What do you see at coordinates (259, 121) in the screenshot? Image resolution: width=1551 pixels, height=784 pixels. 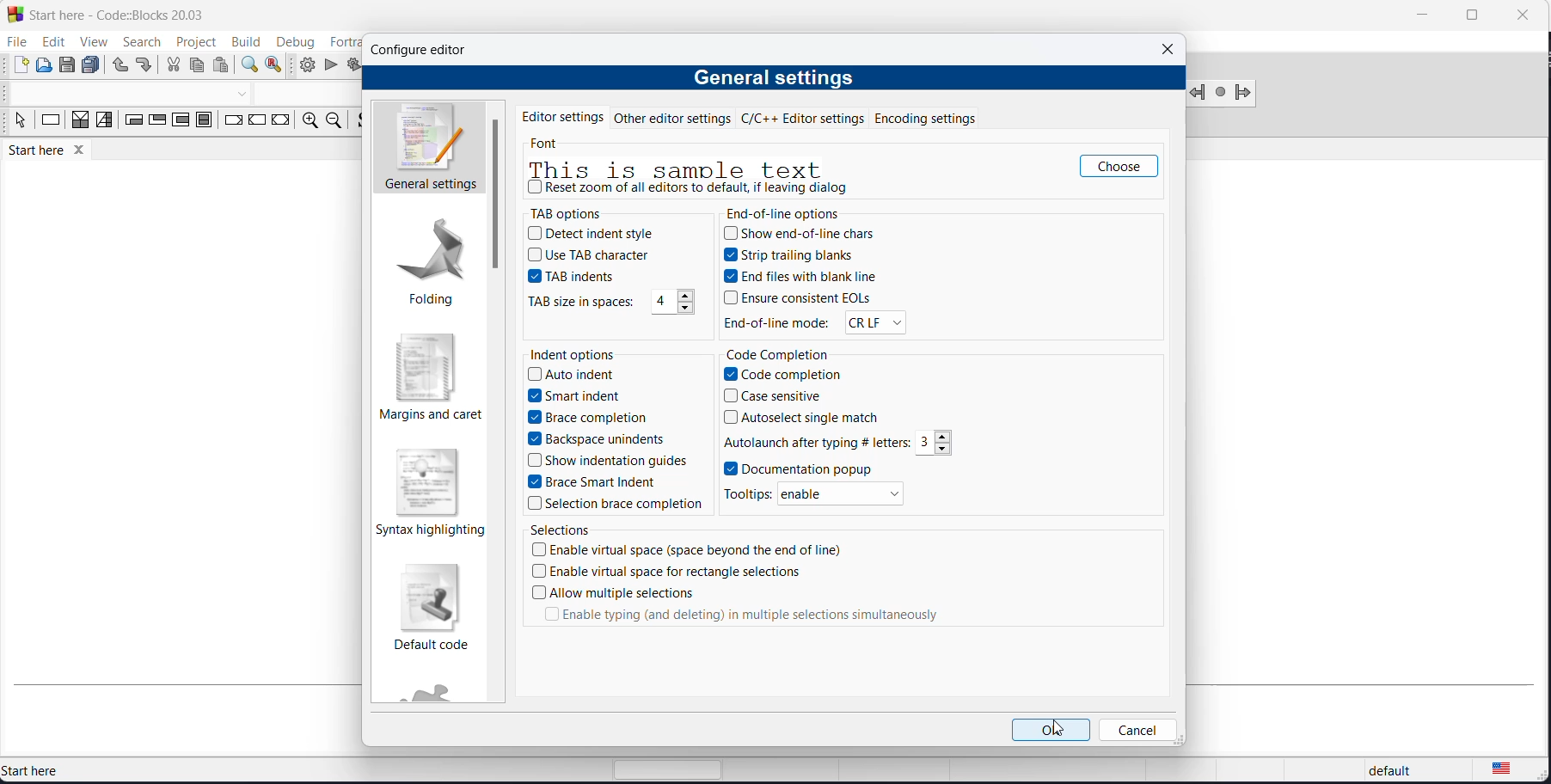 I see `continue instruction` at bounding box center [259, 121].